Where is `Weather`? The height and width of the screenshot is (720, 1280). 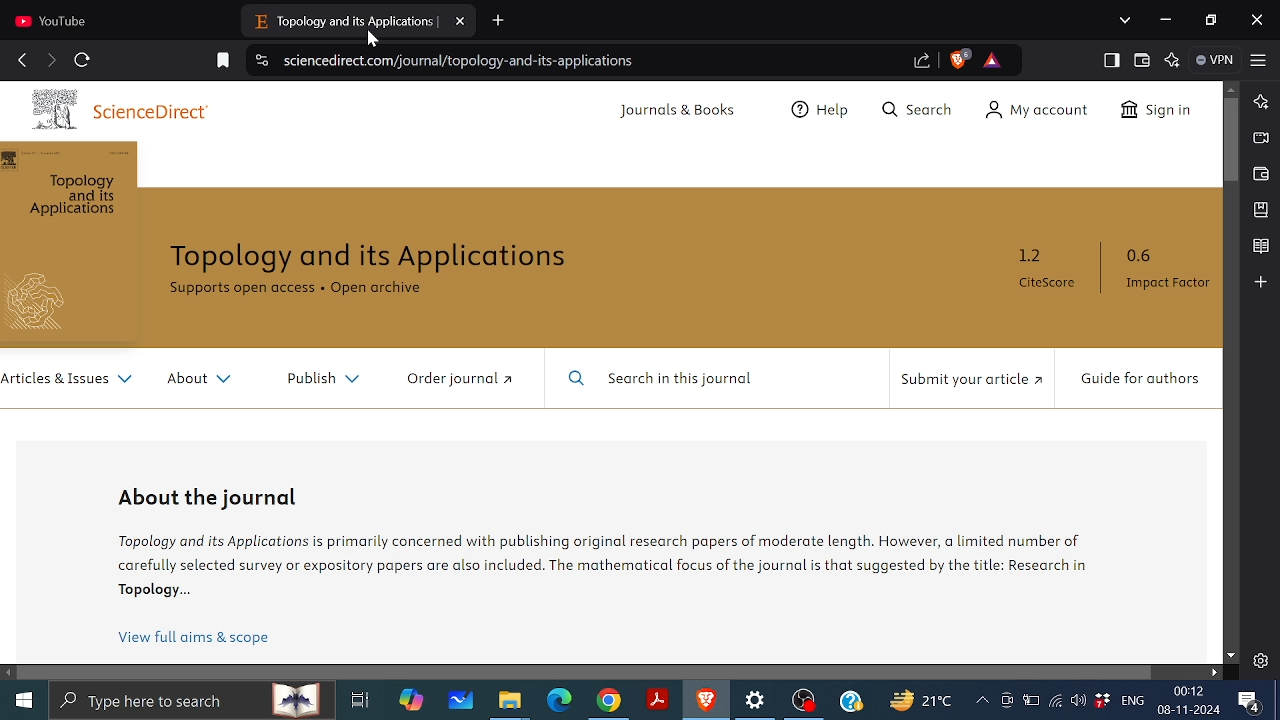
Weather is located at coordinates (919, 699).